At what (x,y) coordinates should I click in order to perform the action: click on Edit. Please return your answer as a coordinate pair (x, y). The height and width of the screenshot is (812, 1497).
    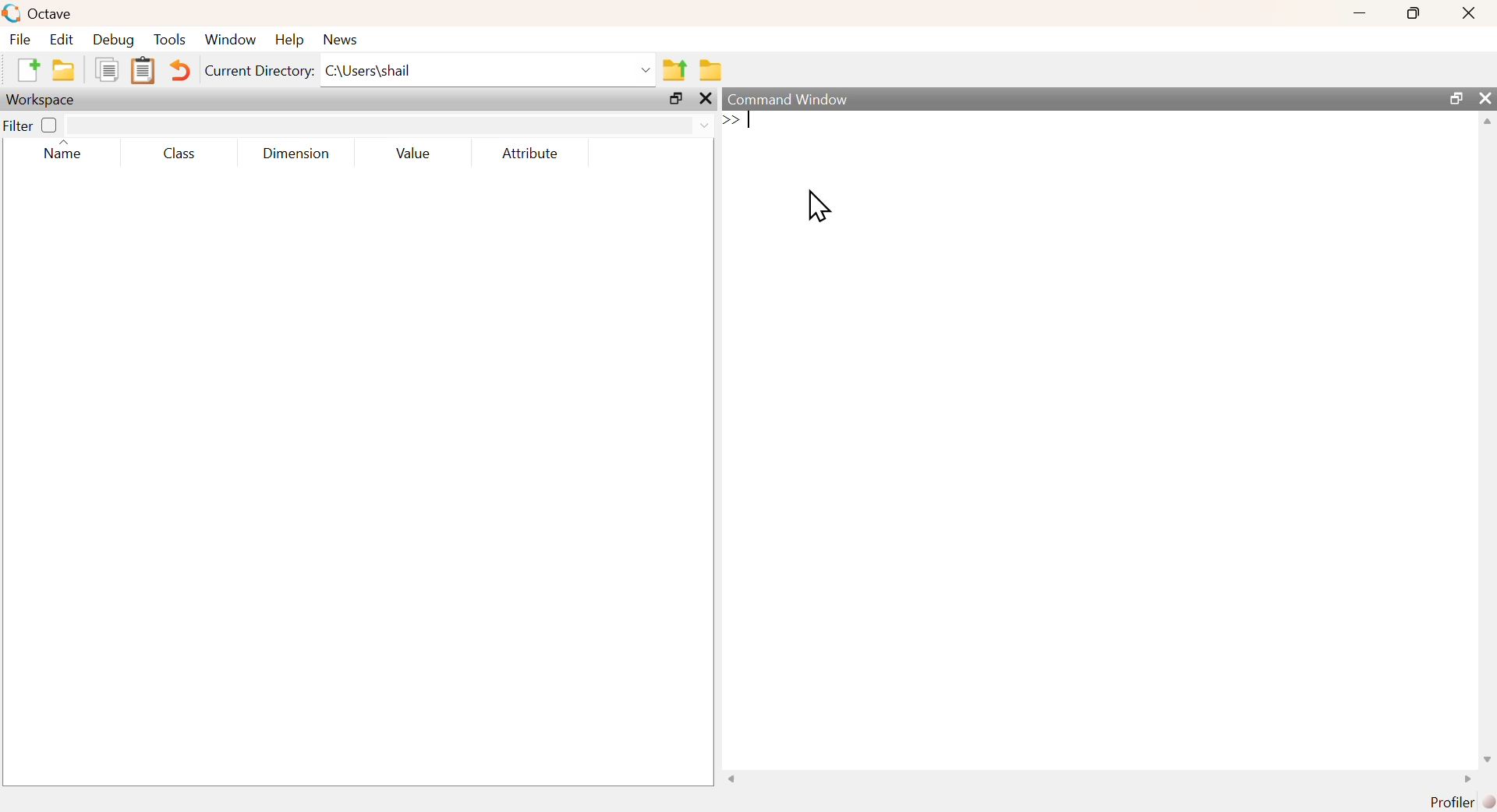
    Looking at the image, I should click on (62, 39).